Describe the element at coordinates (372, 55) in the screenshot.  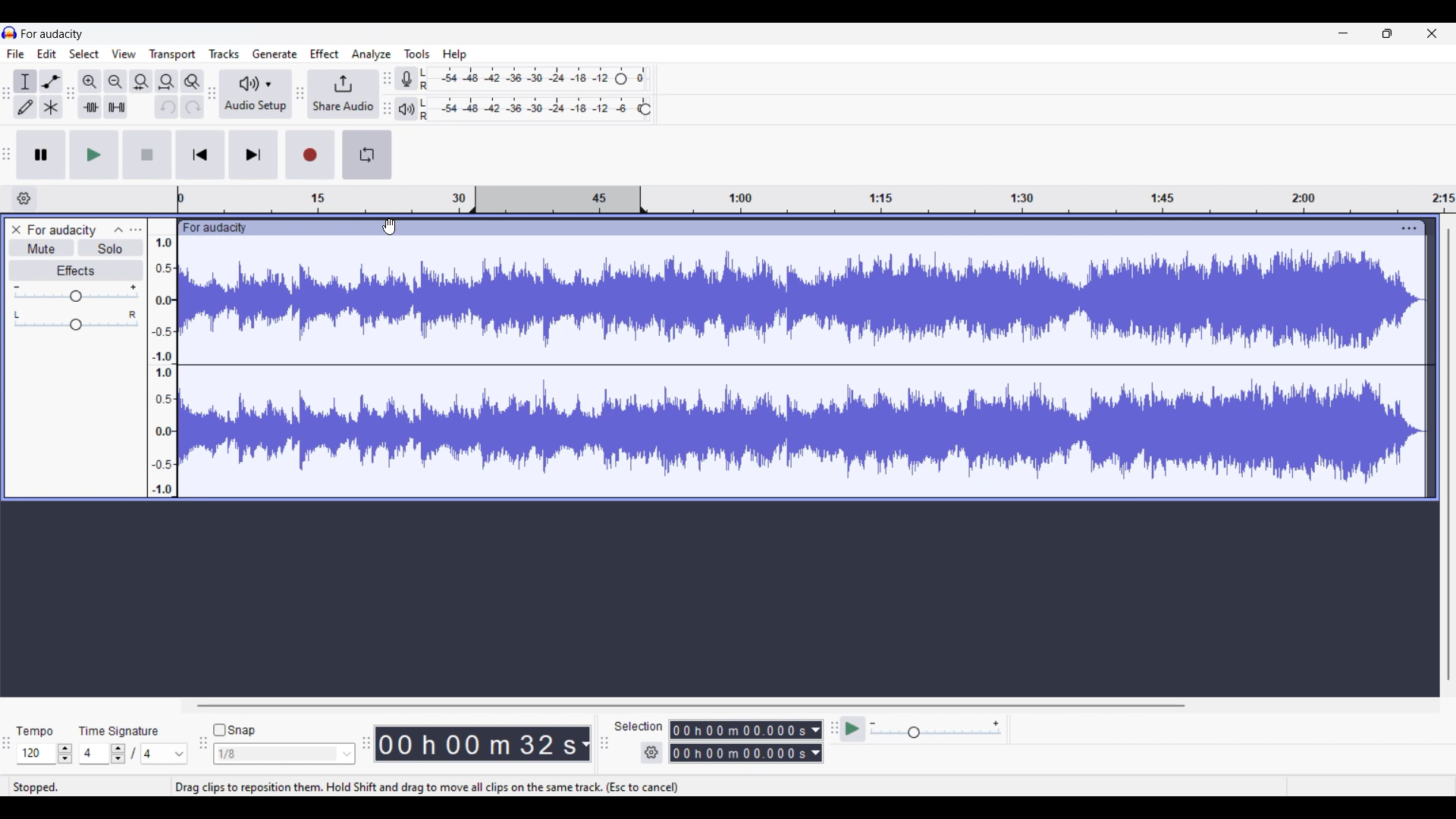
I see `Analyze menu` at that location.